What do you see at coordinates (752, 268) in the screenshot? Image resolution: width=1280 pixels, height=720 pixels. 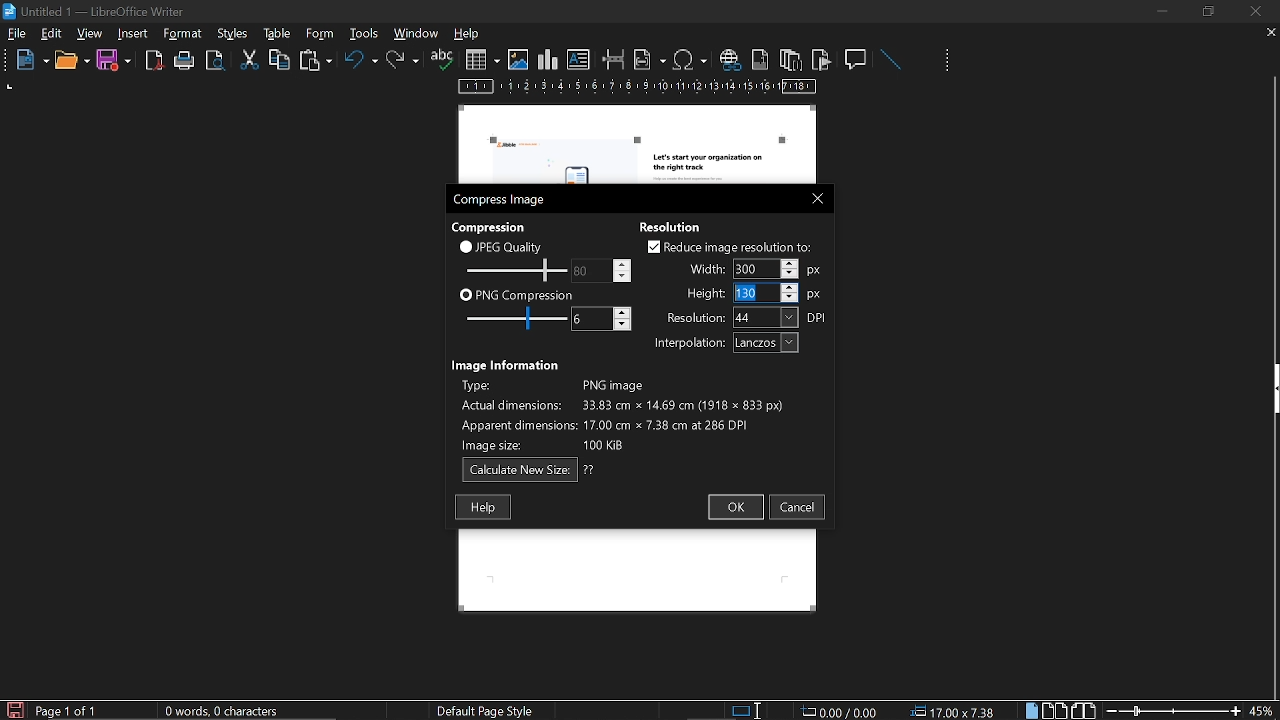 I see `width change` at bounding box center [752, 268].